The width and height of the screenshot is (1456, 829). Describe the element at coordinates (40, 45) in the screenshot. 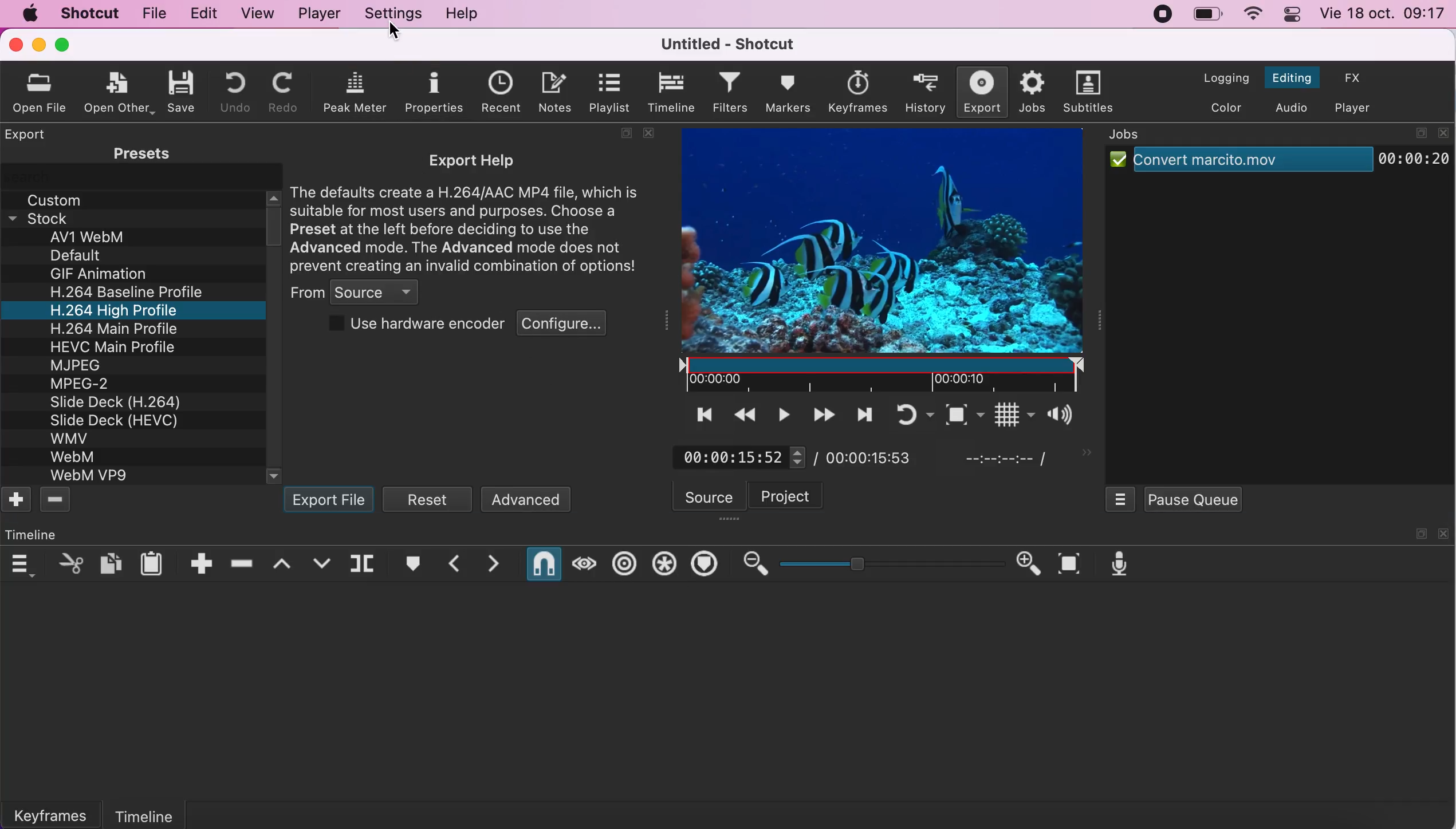

I see `minimize` at that location.